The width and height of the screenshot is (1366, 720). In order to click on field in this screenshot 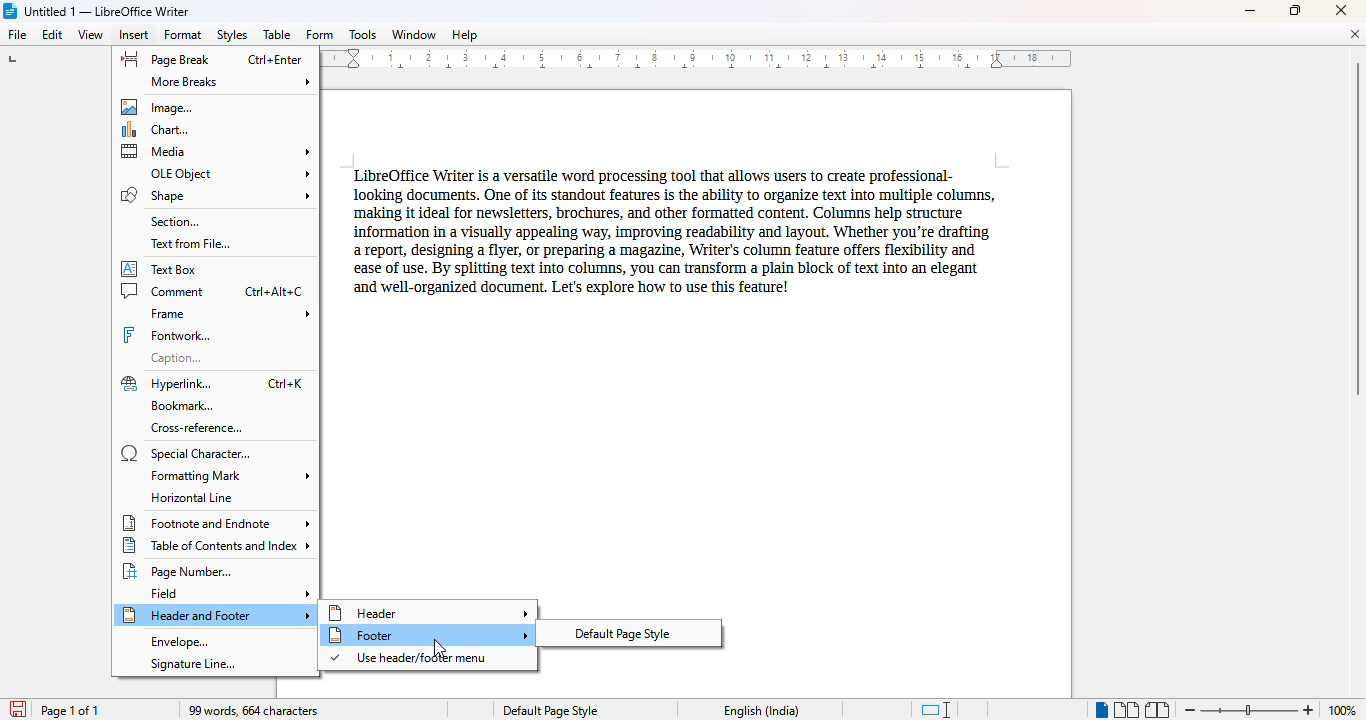, I will do `click(231, 593)`.